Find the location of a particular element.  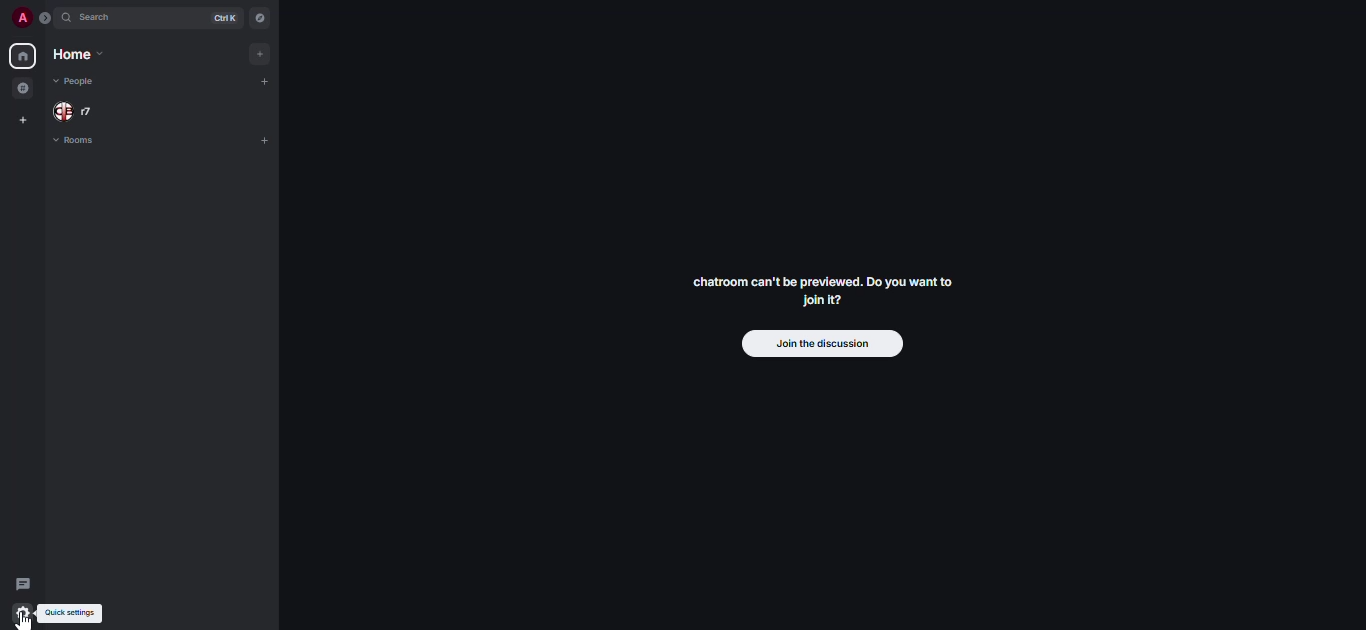

home is located at coordinates (22, 55).